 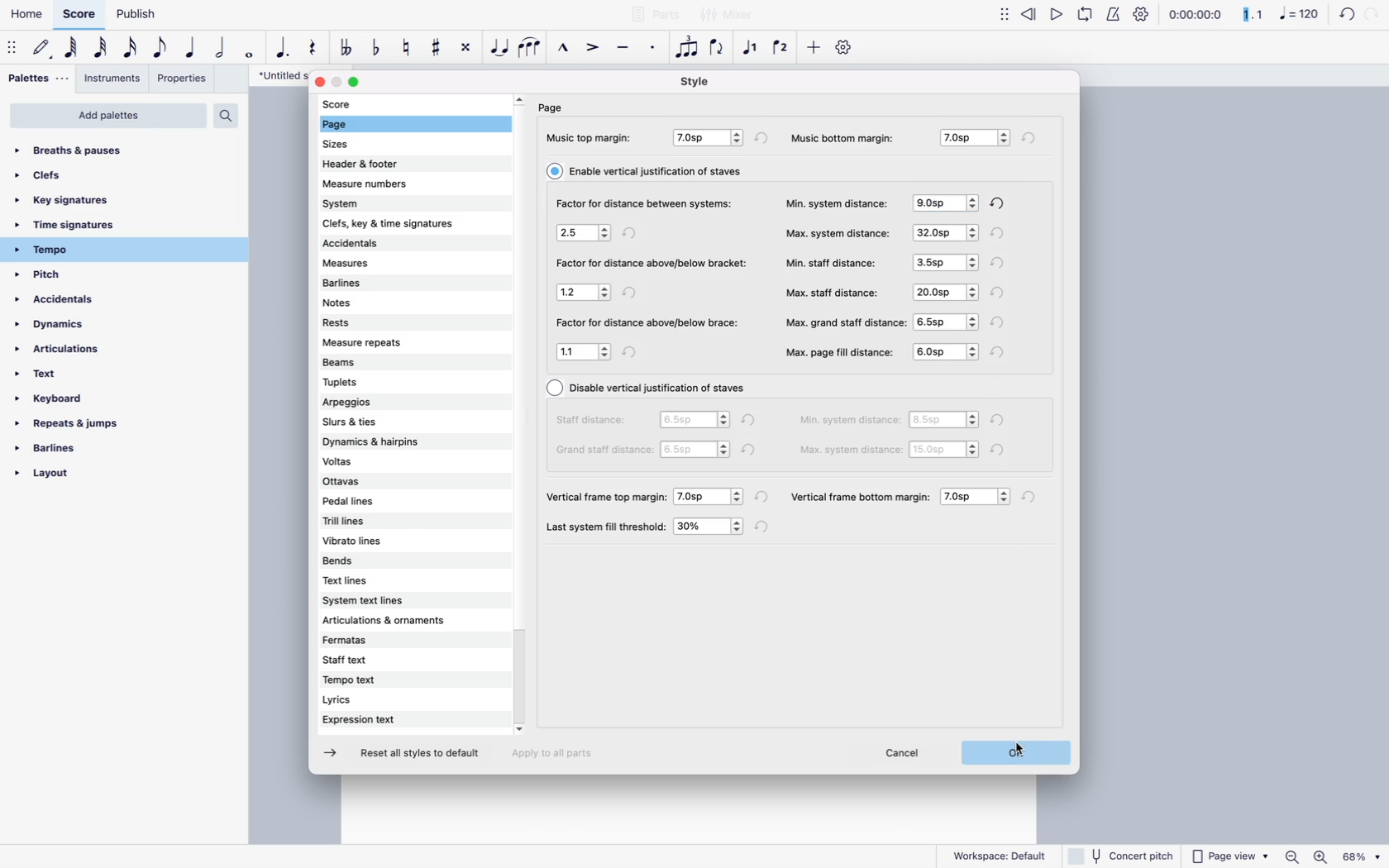 What do you see at coordinates (421, 755) in the screenshot?
I see `reset all styles to default` at bounding box center [421, 755].